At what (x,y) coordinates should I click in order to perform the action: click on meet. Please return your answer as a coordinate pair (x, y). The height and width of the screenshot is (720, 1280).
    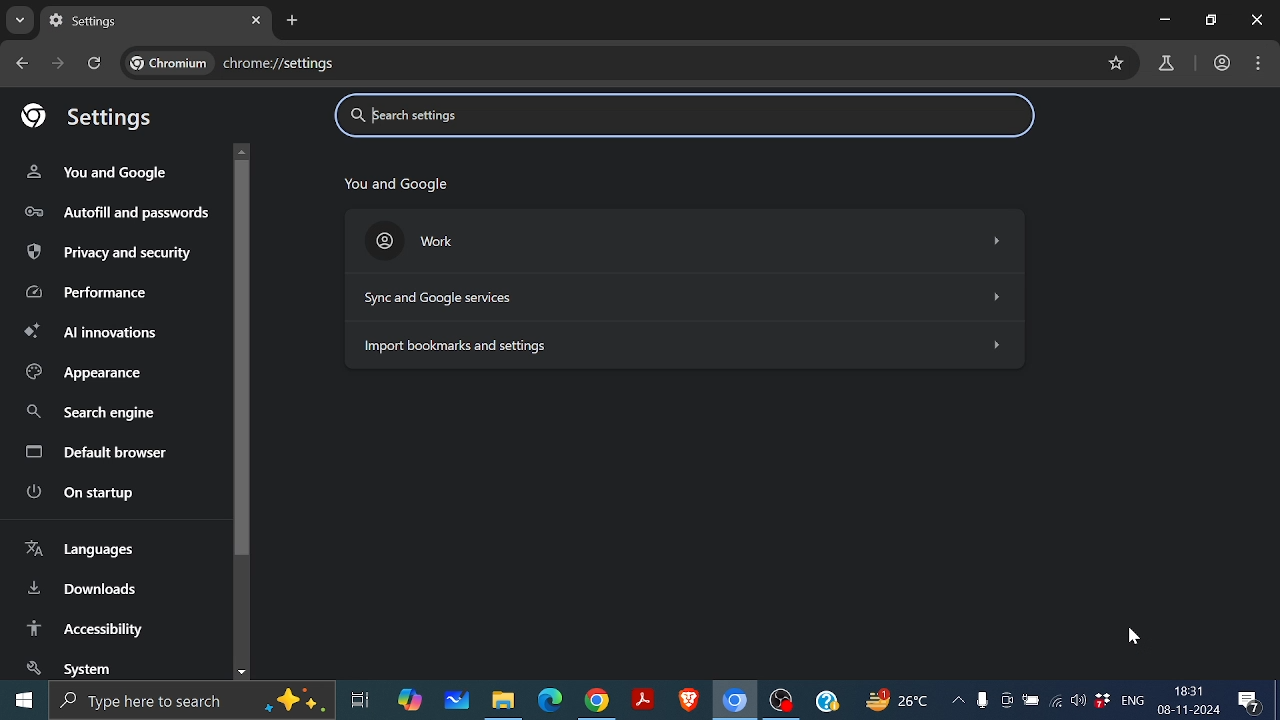
    Looking at the image, I should click on (1006, 704).